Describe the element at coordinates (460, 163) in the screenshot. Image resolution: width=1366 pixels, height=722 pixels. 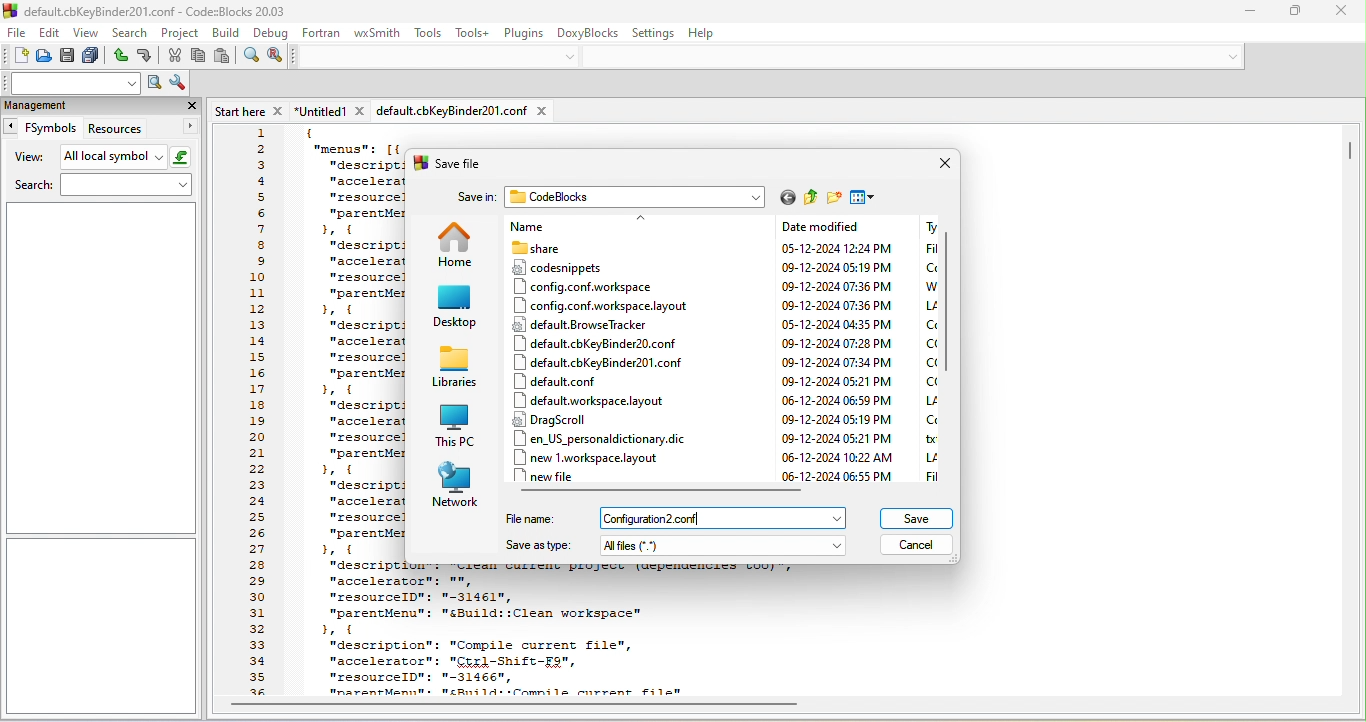
I see `Save File` at that location.